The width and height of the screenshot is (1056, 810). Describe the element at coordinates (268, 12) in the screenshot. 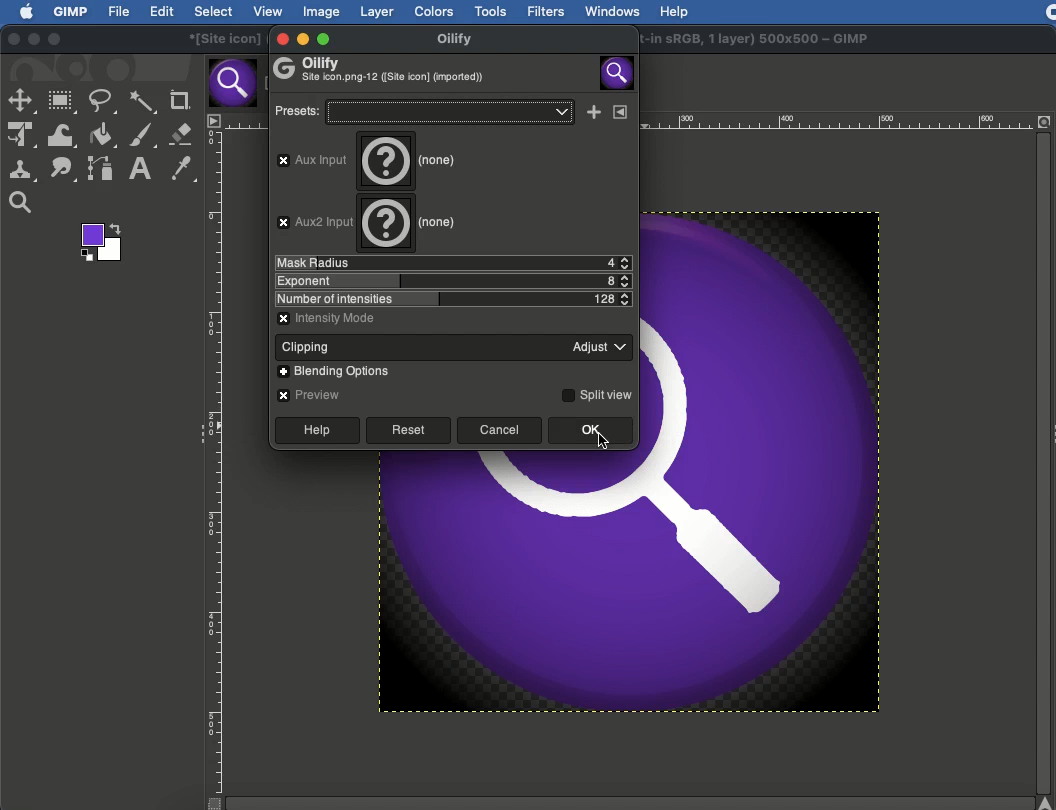

I see `View` at that location.